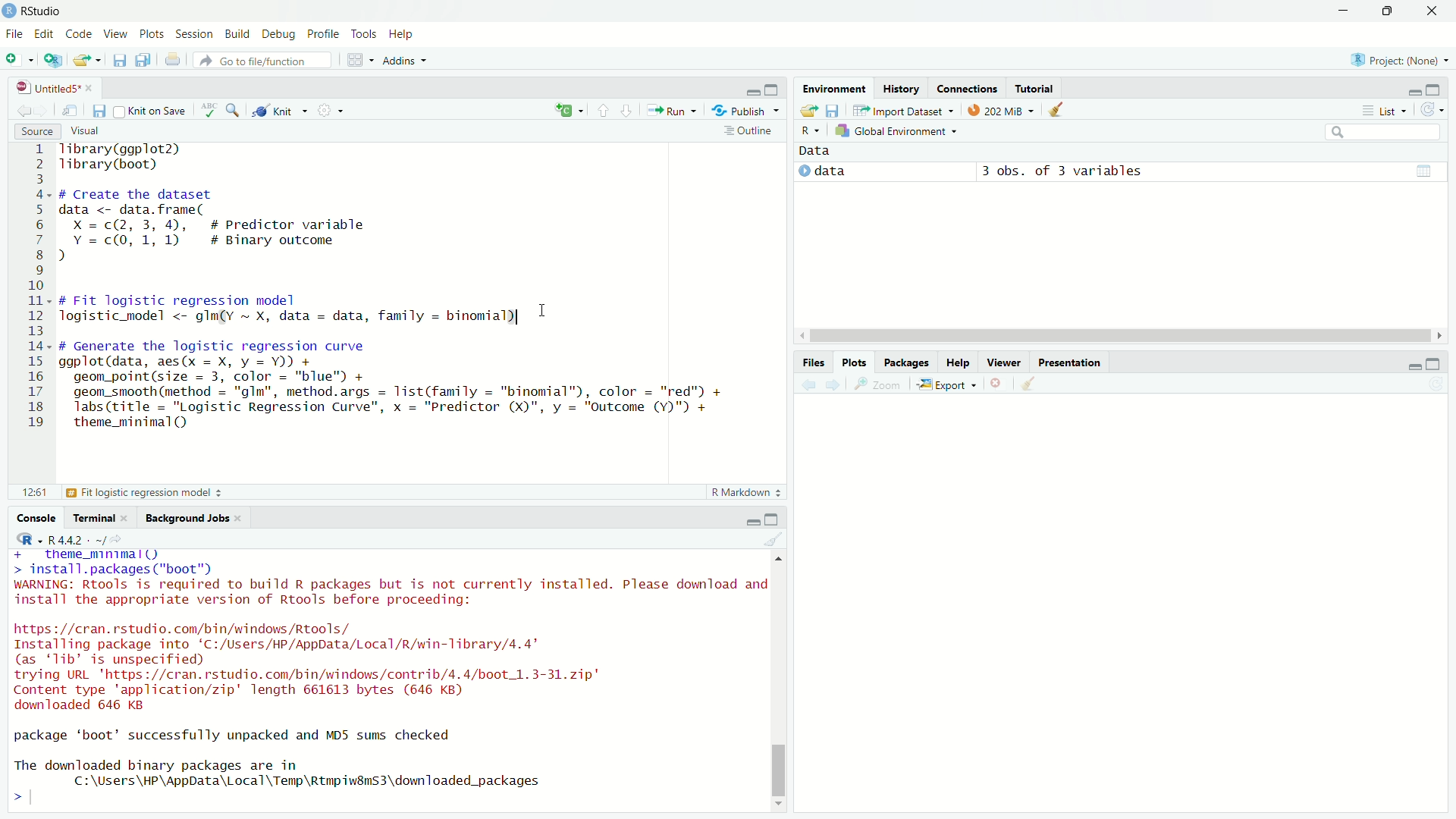 This screenshot has height=819, width=1456. What do you see at coordinates (773, 538) in the screenshot?
I see `Clear console` at bounding box center [773, 538].